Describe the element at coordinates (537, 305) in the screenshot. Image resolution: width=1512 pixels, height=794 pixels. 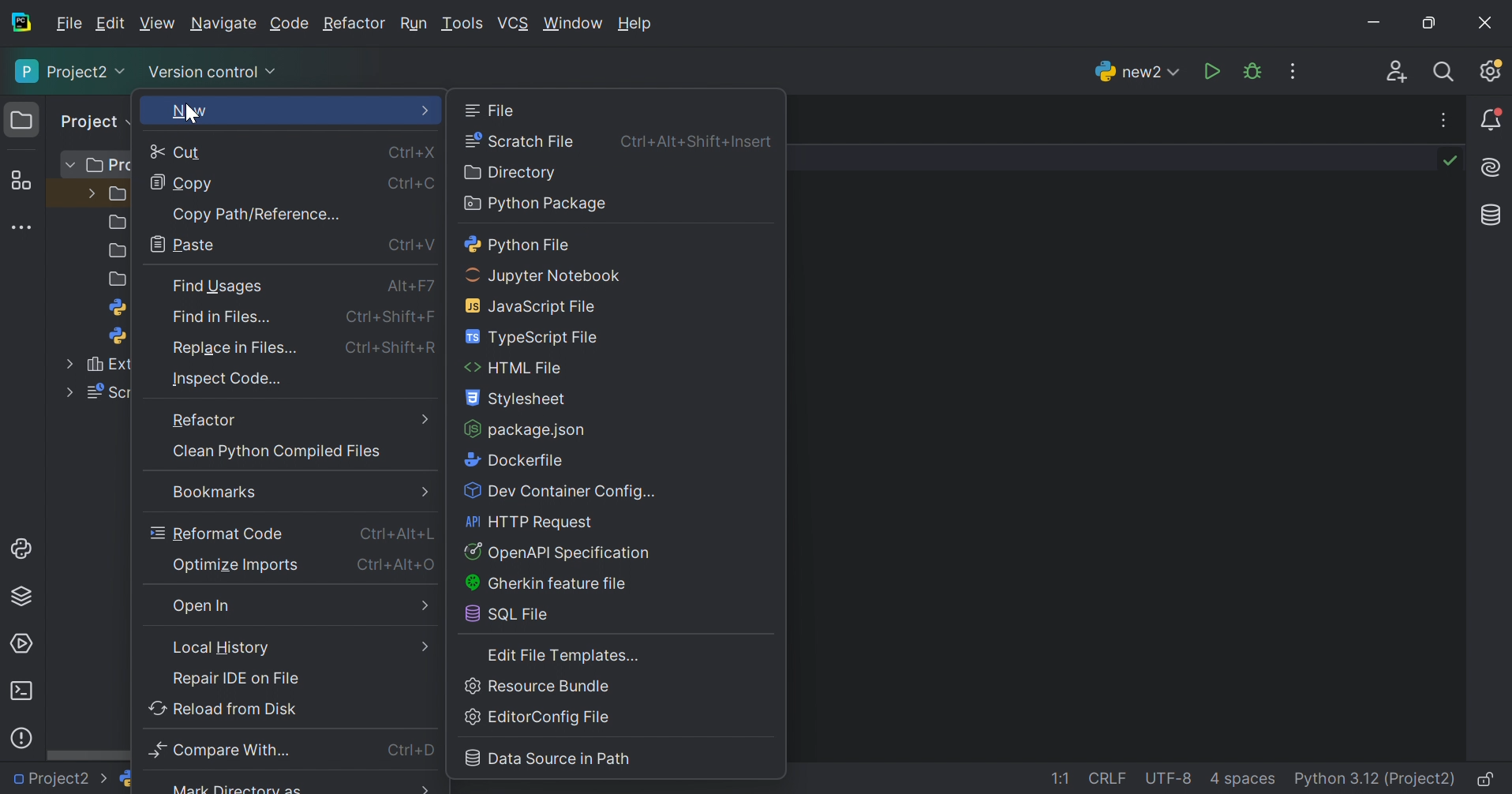
I see `JavaScript file` at that location.